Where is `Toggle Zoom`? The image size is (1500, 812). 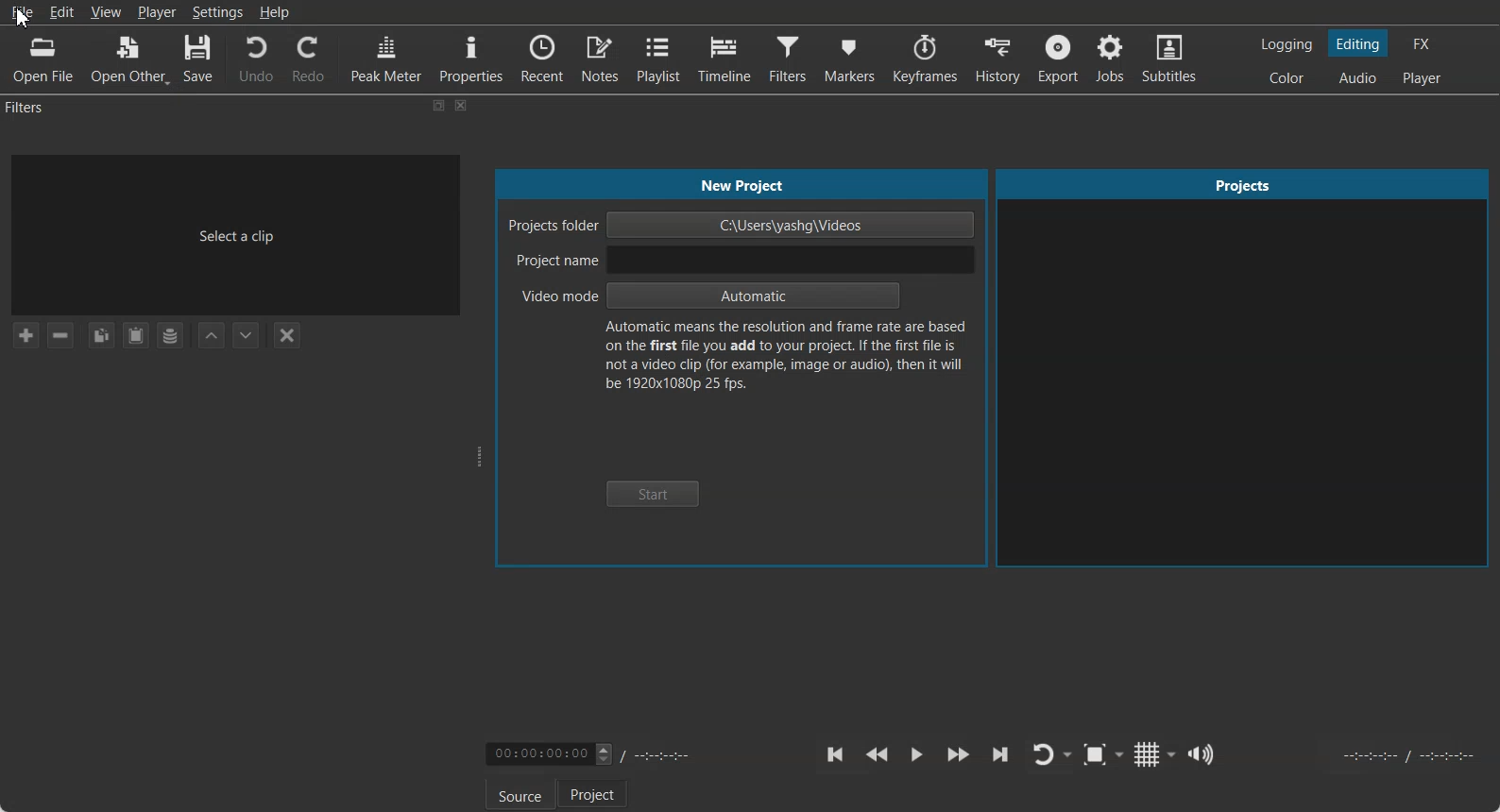 Toggle Zoom is located at coordinates (1095, 755).